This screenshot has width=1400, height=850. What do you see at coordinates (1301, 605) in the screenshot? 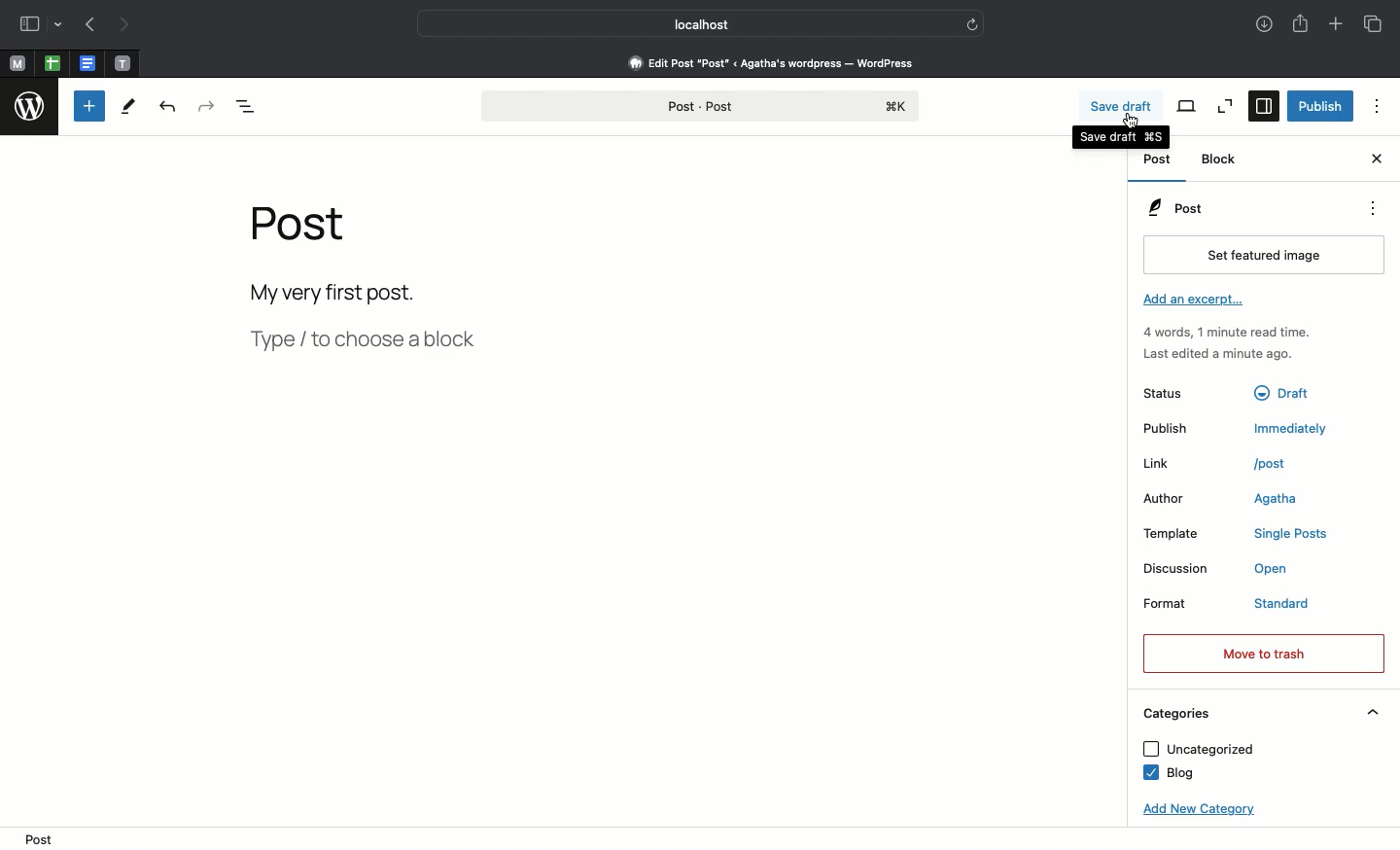
I see `Standard` at bounding box center [1301, 605].